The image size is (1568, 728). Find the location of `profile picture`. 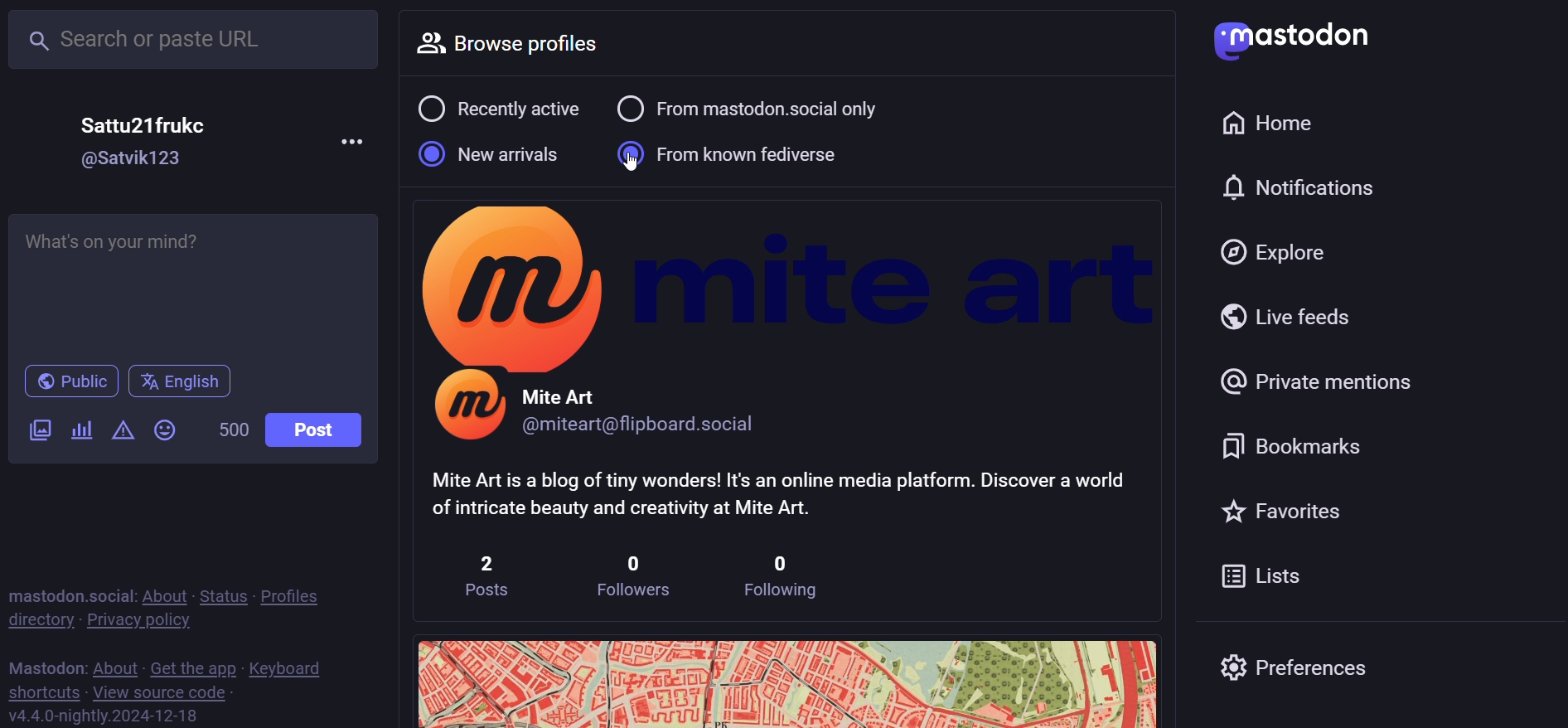

profile picture is located at coordinates (467, 410).